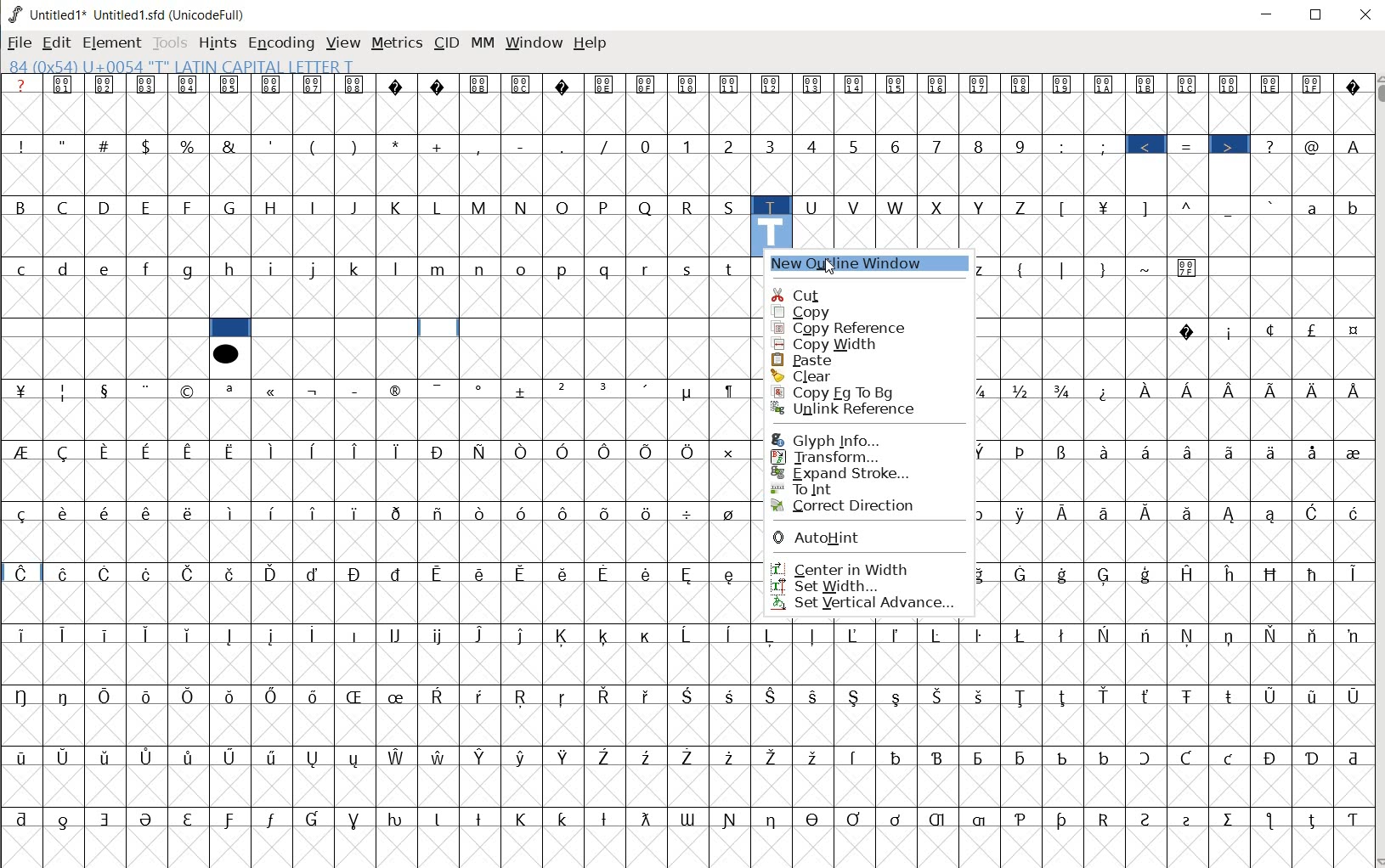 This screenshot has width=1385, height=868. Describe the element at coordinates (940, 207) in the screenshot. I see `X` at that location.